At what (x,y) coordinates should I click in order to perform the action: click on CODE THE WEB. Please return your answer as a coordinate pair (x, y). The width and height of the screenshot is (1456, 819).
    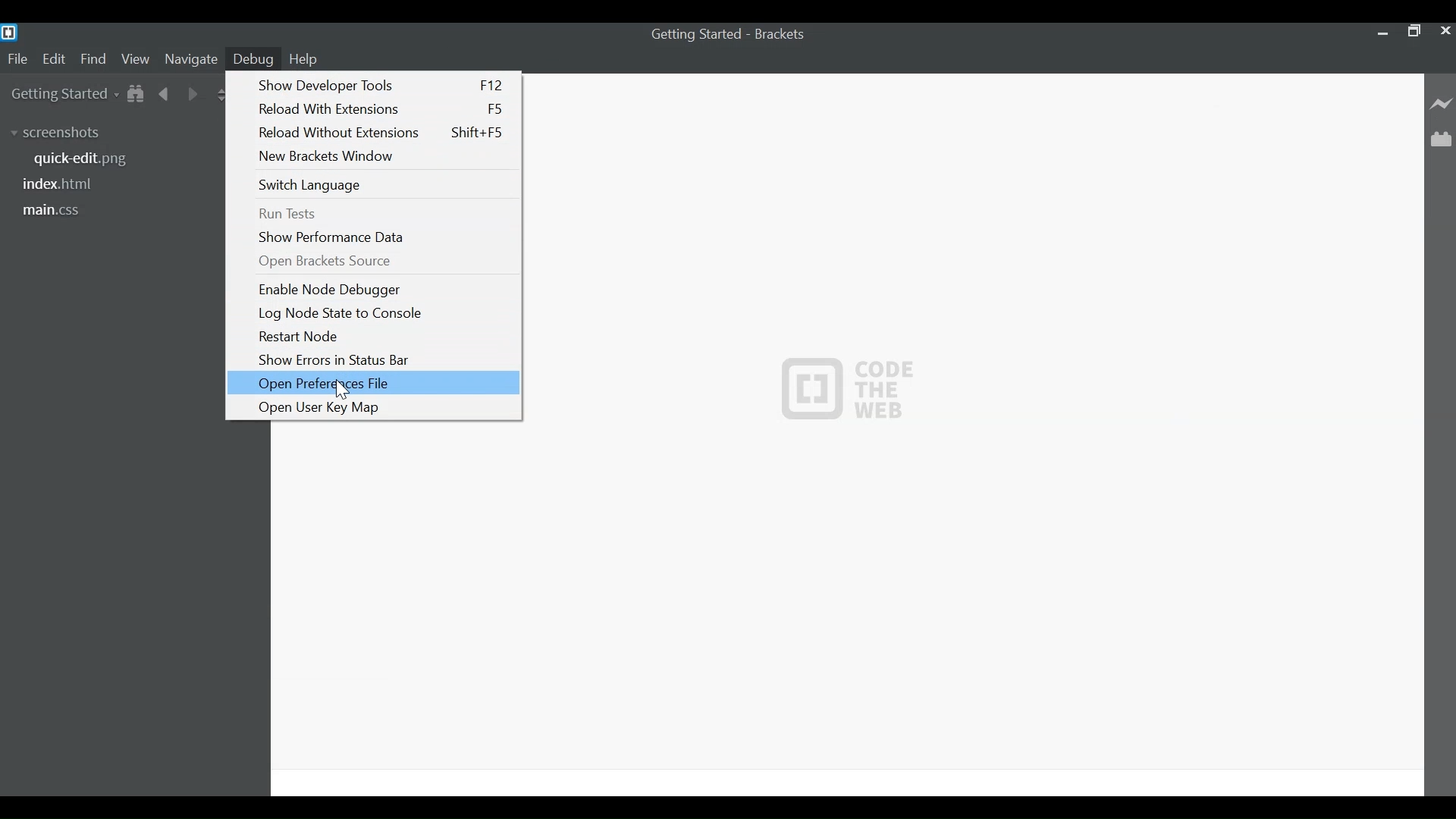
    Looking at the image, I should click on (969, 428).